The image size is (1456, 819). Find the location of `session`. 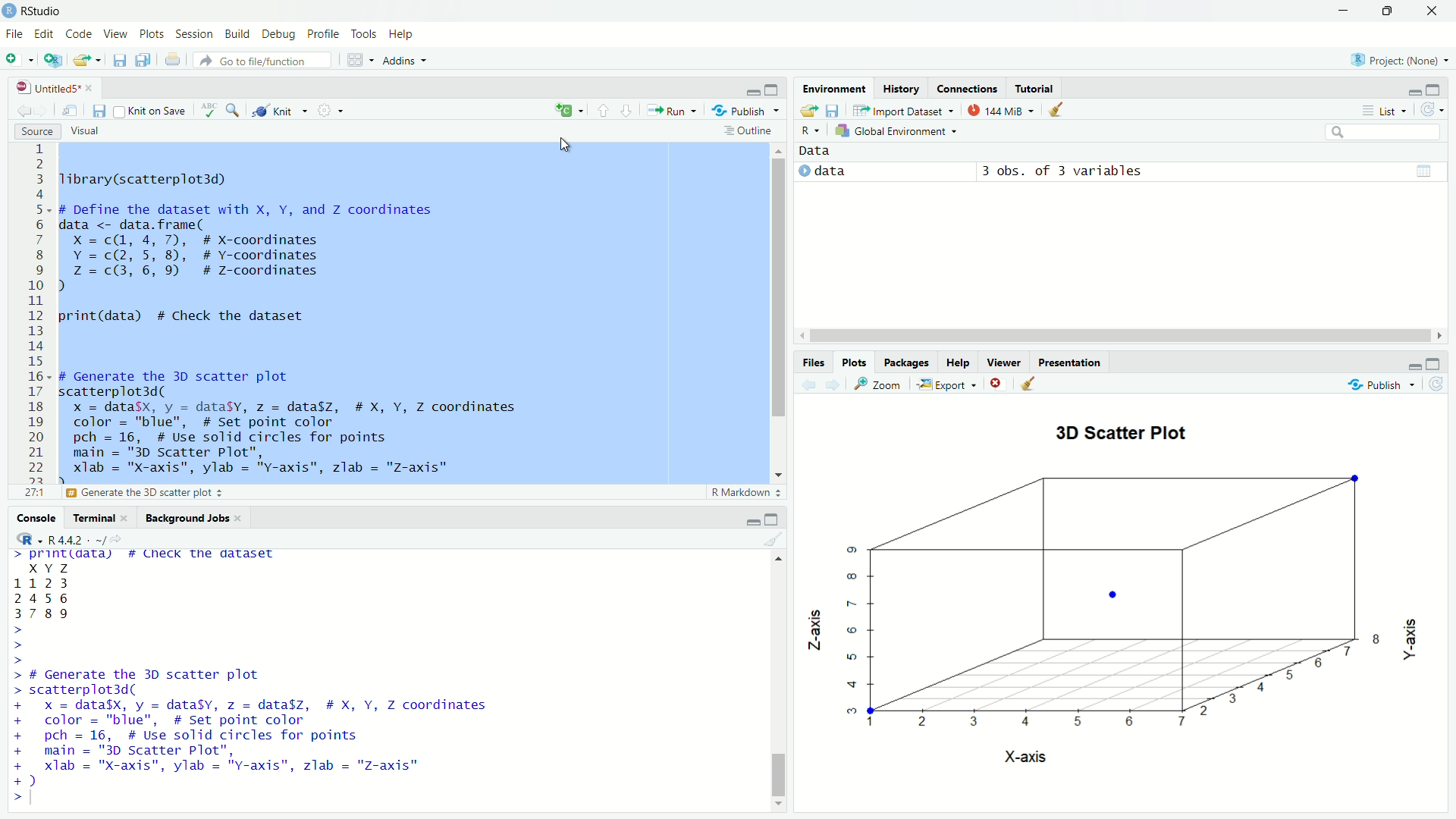

session is located at coordinates (193, 33).